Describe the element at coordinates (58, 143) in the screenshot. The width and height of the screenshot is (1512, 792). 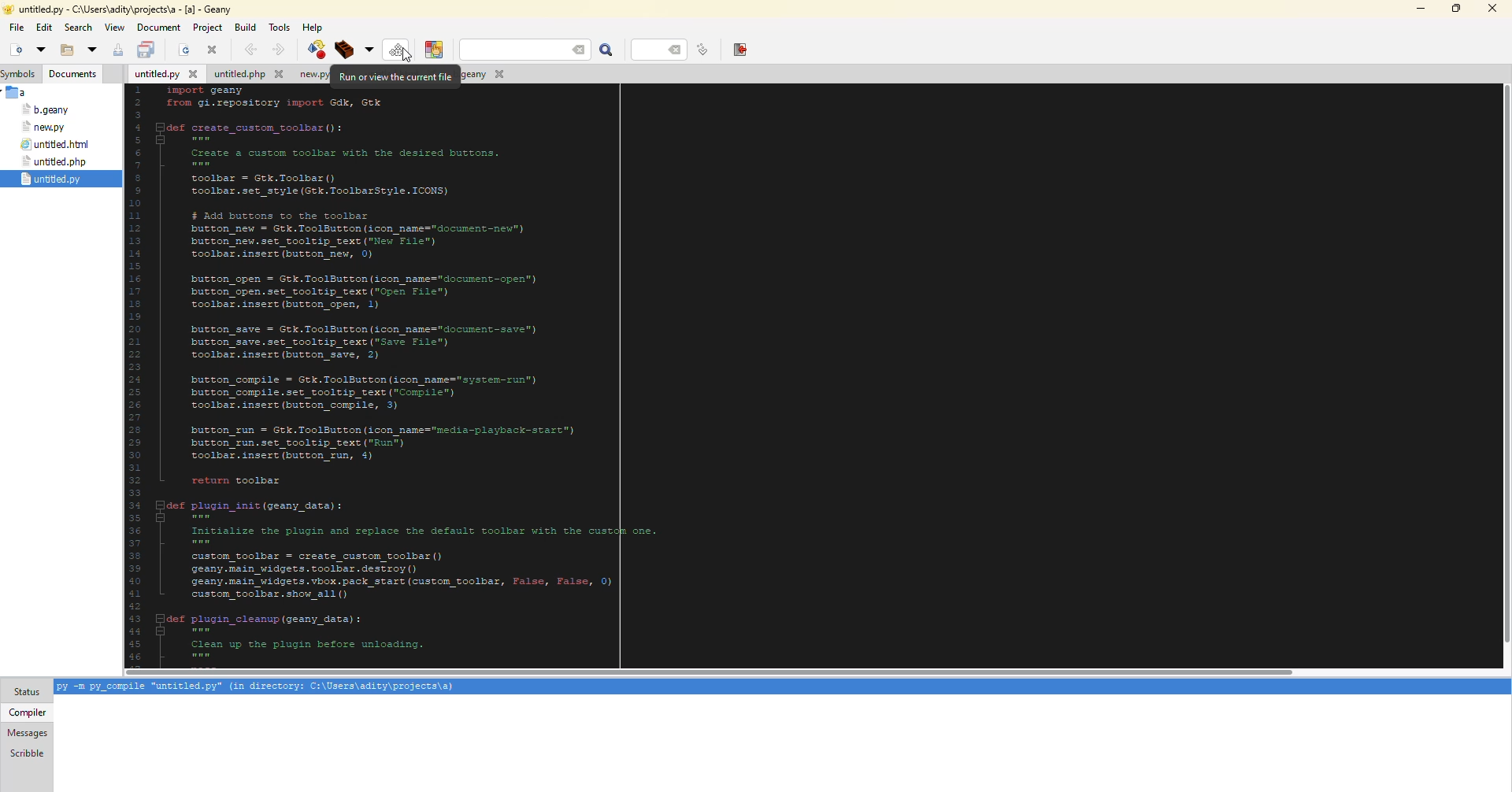
I see `file` at that location.